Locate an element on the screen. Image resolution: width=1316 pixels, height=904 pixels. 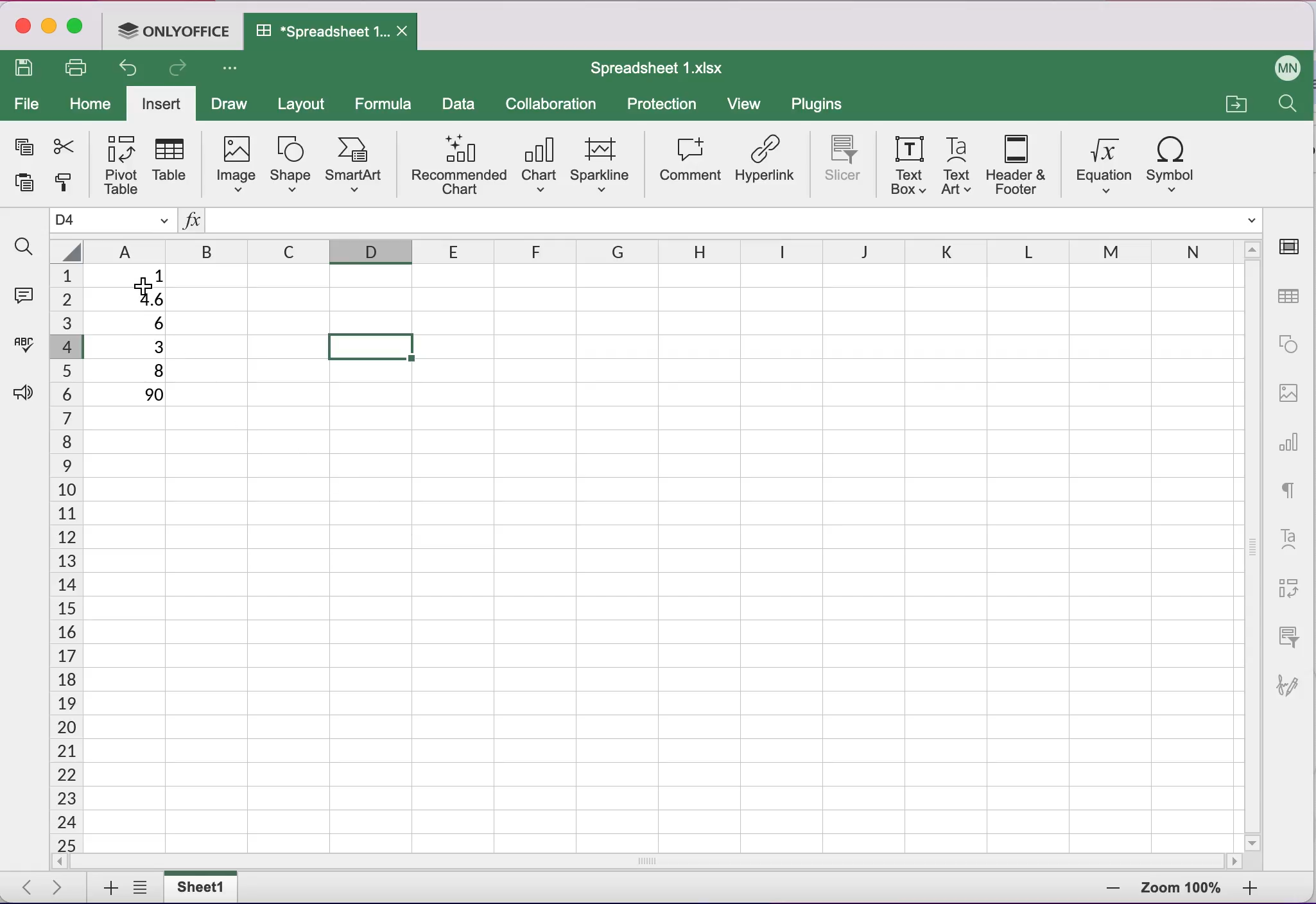
text art is located at coordinates (956, 166).